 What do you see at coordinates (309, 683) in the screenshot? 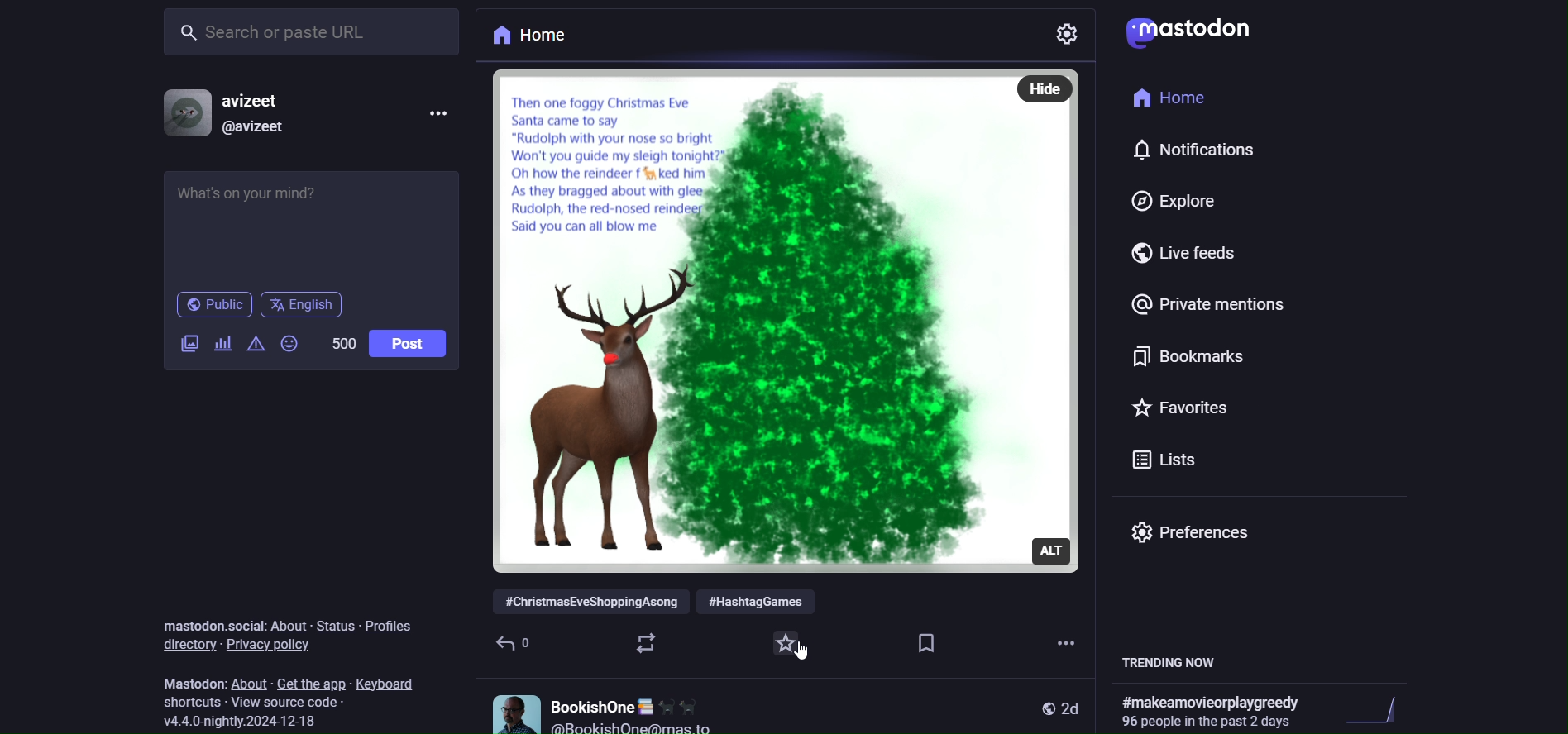
I see `get the app` at bounding box center [309, 683].